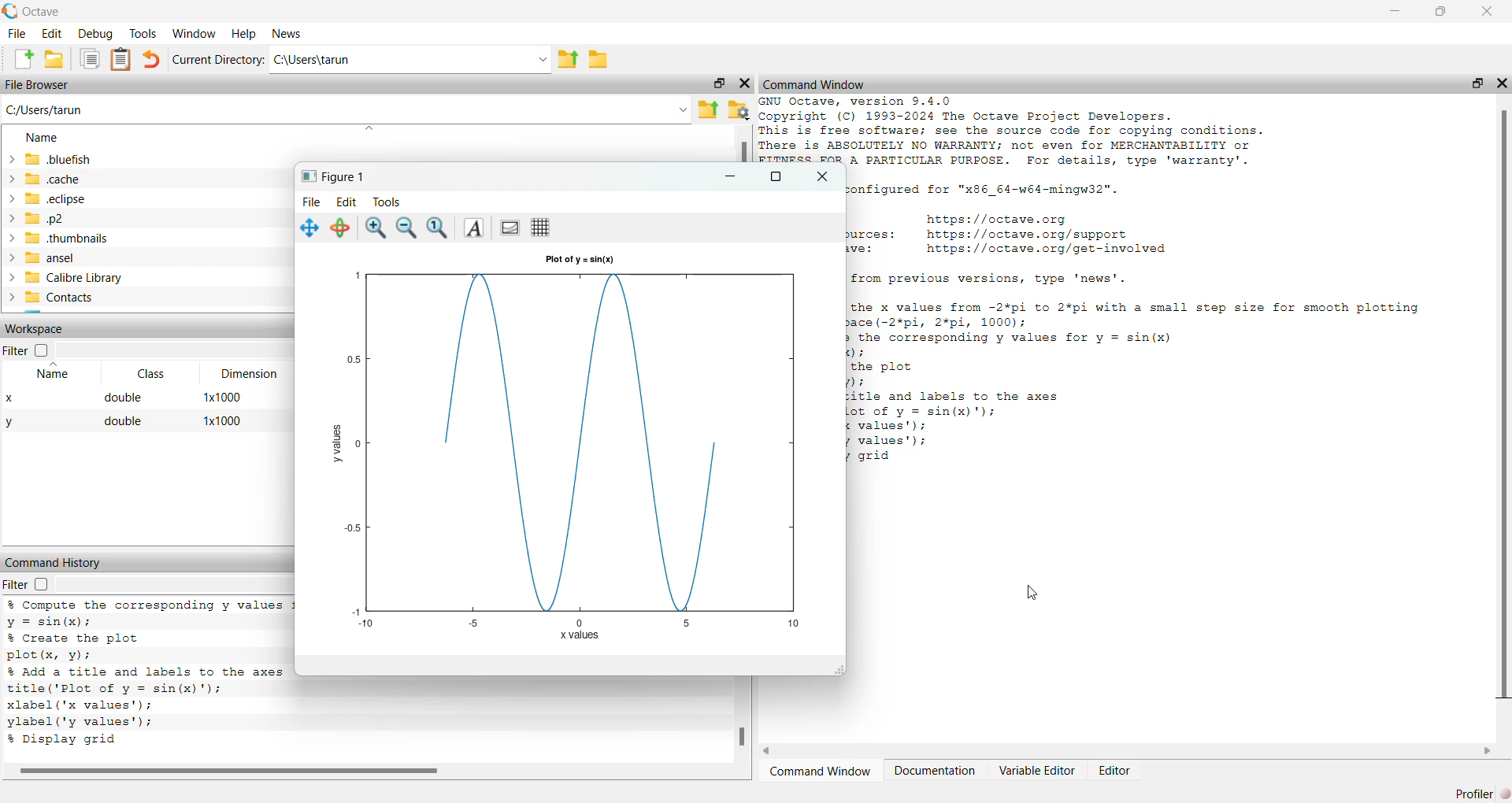 The image size is (1512, 803). I want to click on ansel, so click(41, 258).